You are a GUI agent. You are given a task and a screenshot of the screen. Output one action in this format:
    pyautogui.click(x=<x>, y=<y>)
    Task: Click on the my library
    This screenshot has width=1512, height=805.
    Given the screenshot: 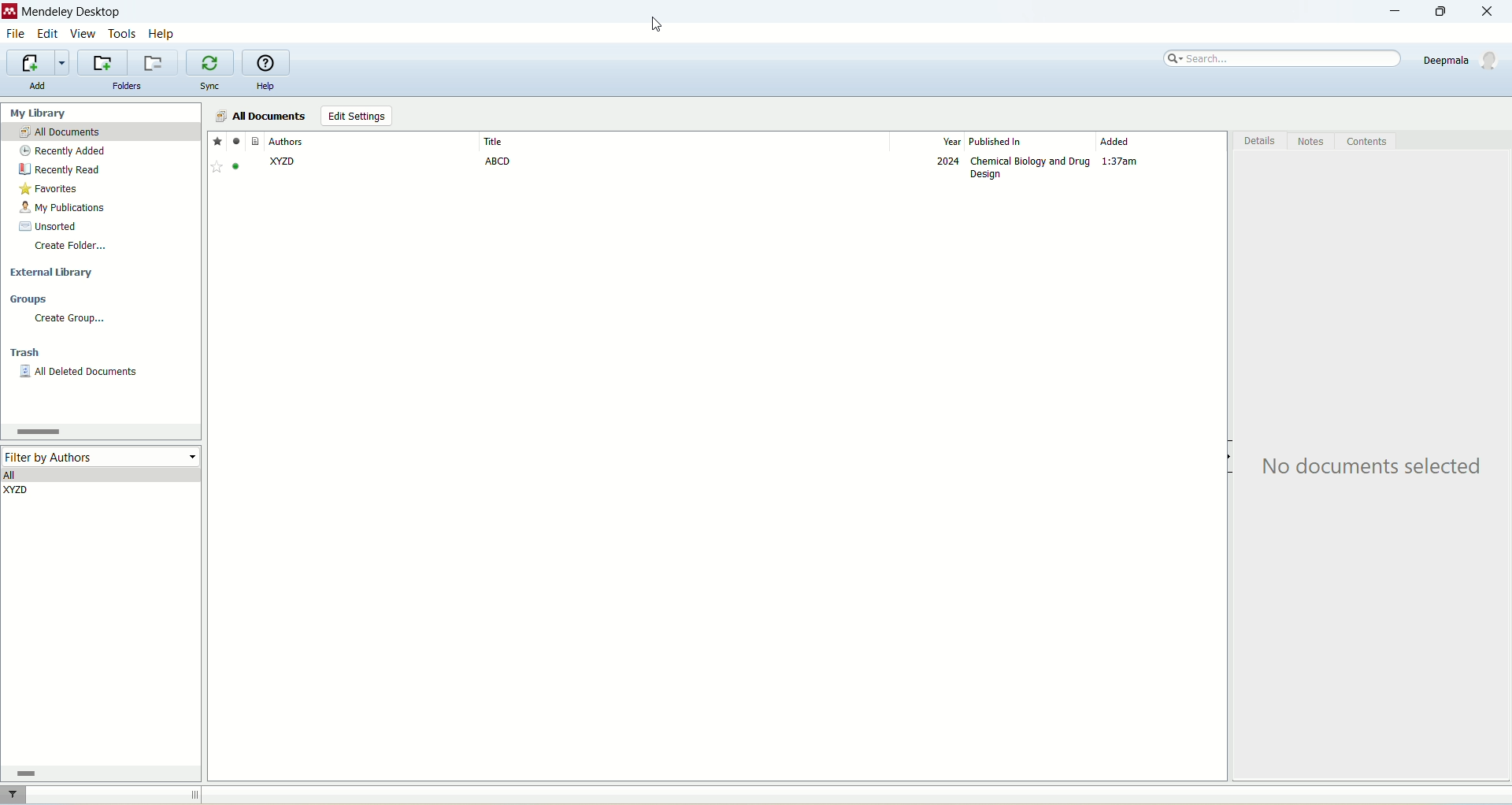 What is the action you would take?
    pyautogui.click(x=40, y=113)
    